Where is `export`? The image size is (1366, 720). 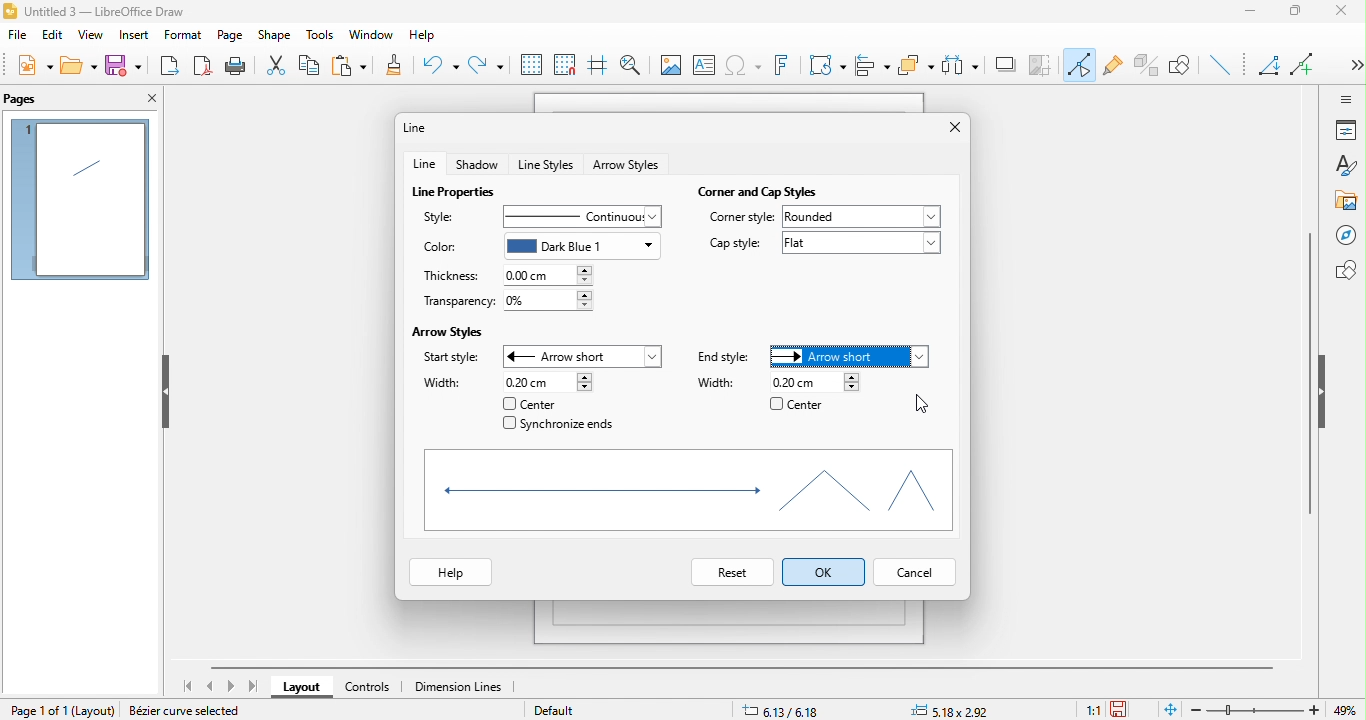 export is located at coordinates (171, 64).